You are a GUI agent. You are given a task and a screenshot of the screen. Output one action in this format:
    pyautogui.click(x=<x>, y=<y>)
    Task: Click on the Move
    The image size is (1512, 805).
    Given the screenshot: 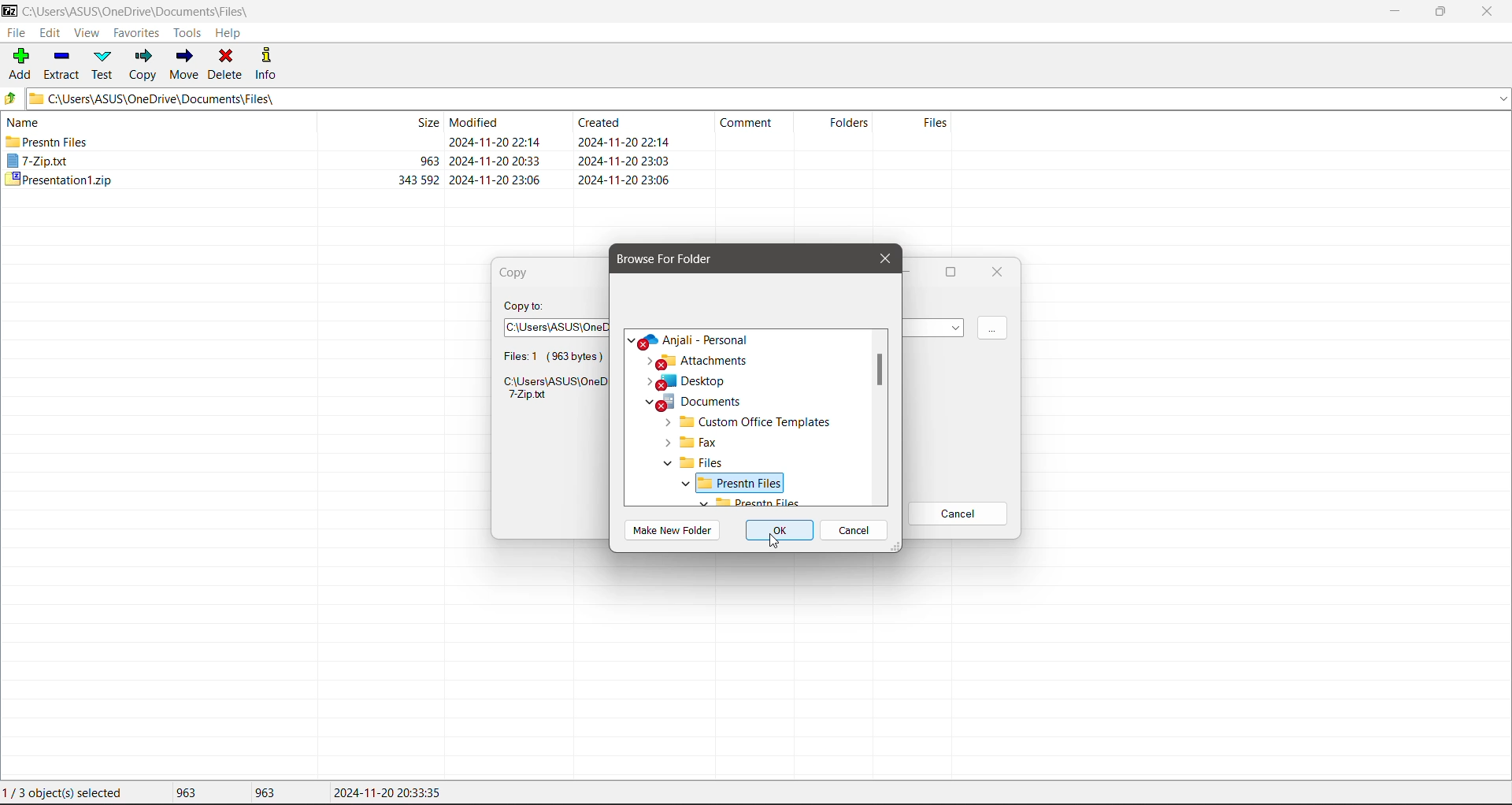 What is the action you would take?
    pyautogui.click(x=187, y=65)
    